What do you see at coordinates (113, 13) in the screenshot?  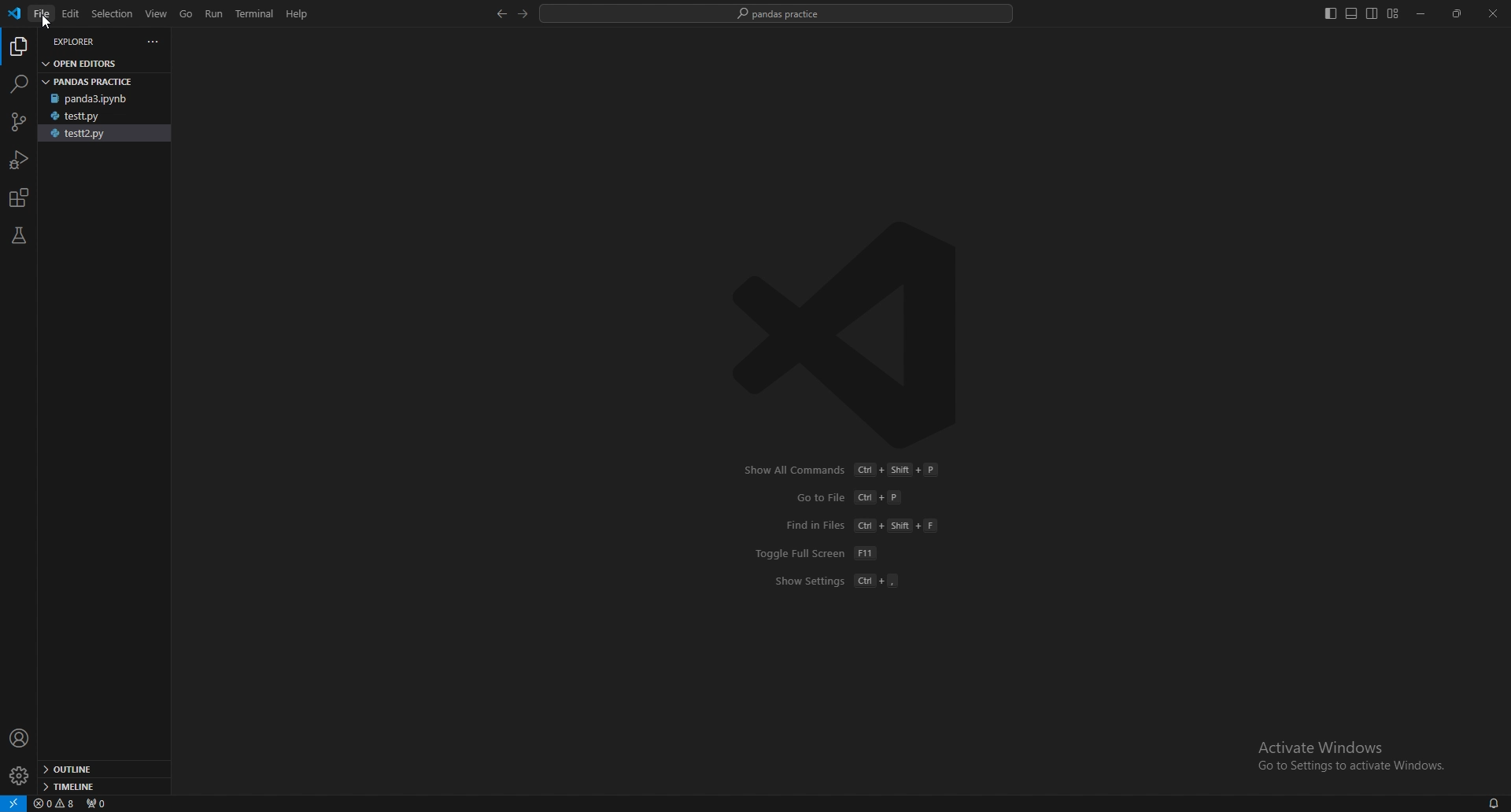 I see `selection` at bounding box center [113, 13].